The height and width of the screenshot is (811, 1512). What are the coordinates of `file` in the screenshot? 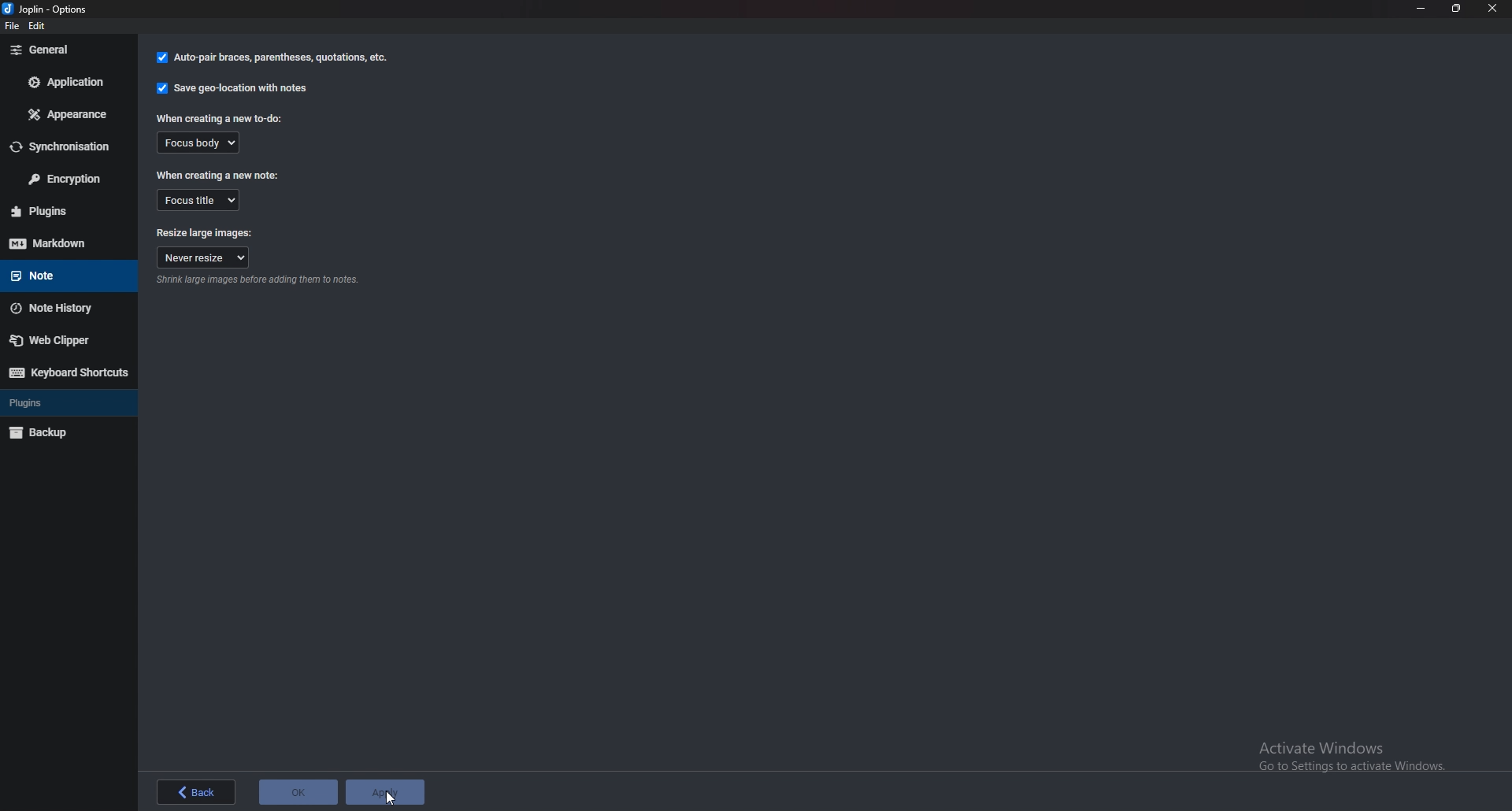 It's located at (15, 29).